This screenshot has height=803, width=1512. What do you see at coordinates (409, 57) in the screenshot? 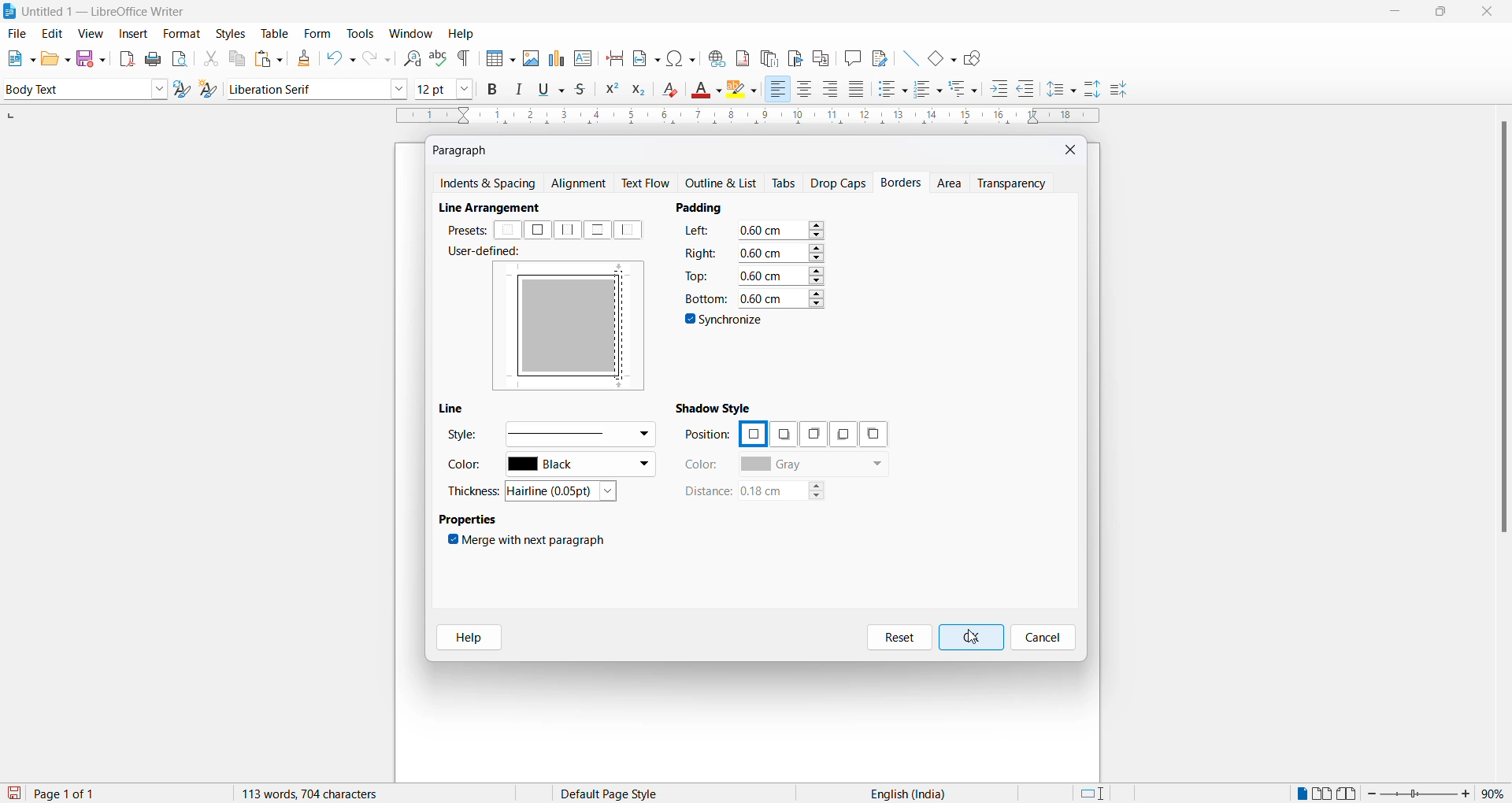
I see `find and replace` at bounding box center [409, 57].